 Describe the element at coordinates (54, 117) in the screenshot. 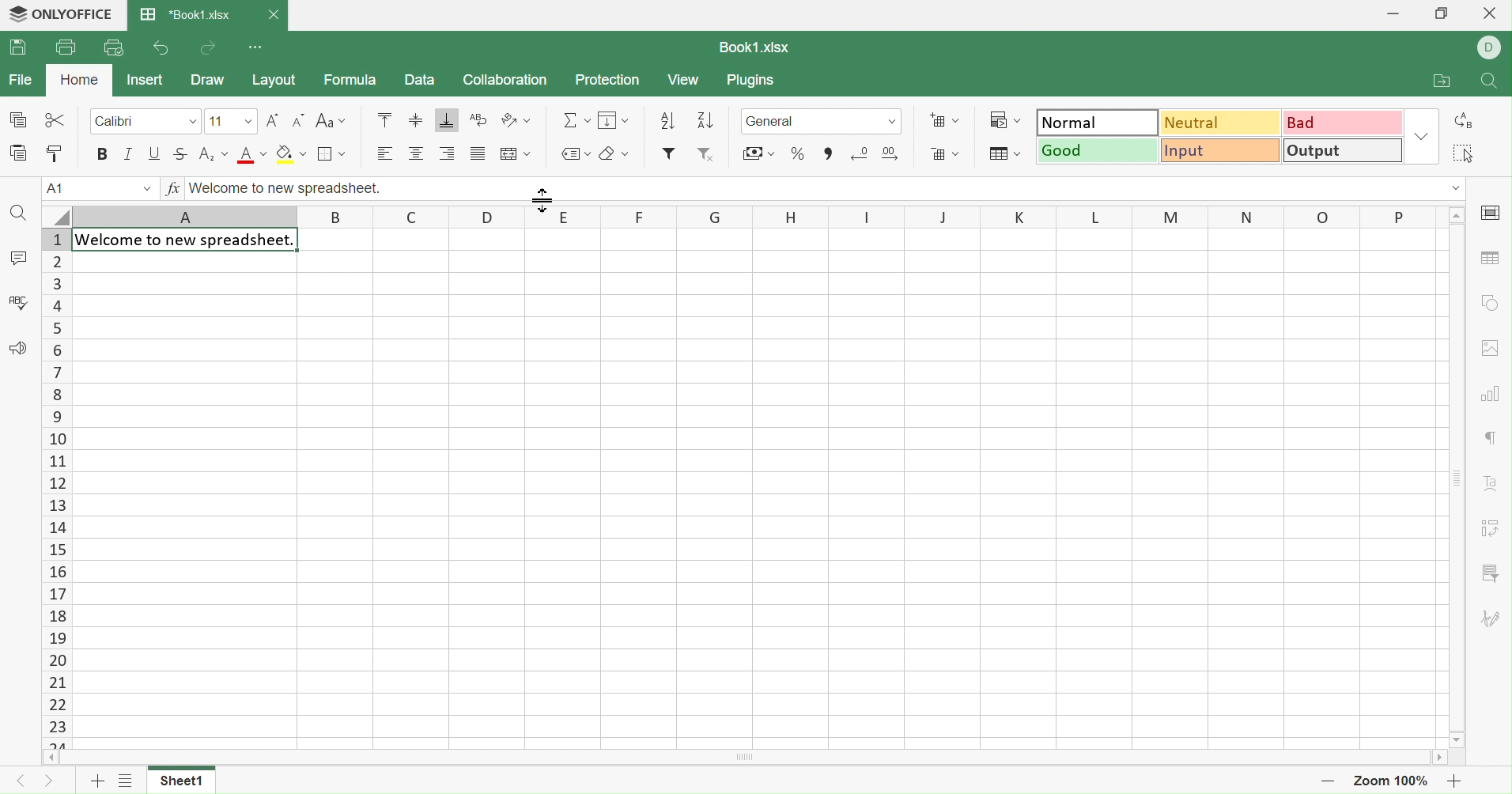

I see `Cut` at that location.